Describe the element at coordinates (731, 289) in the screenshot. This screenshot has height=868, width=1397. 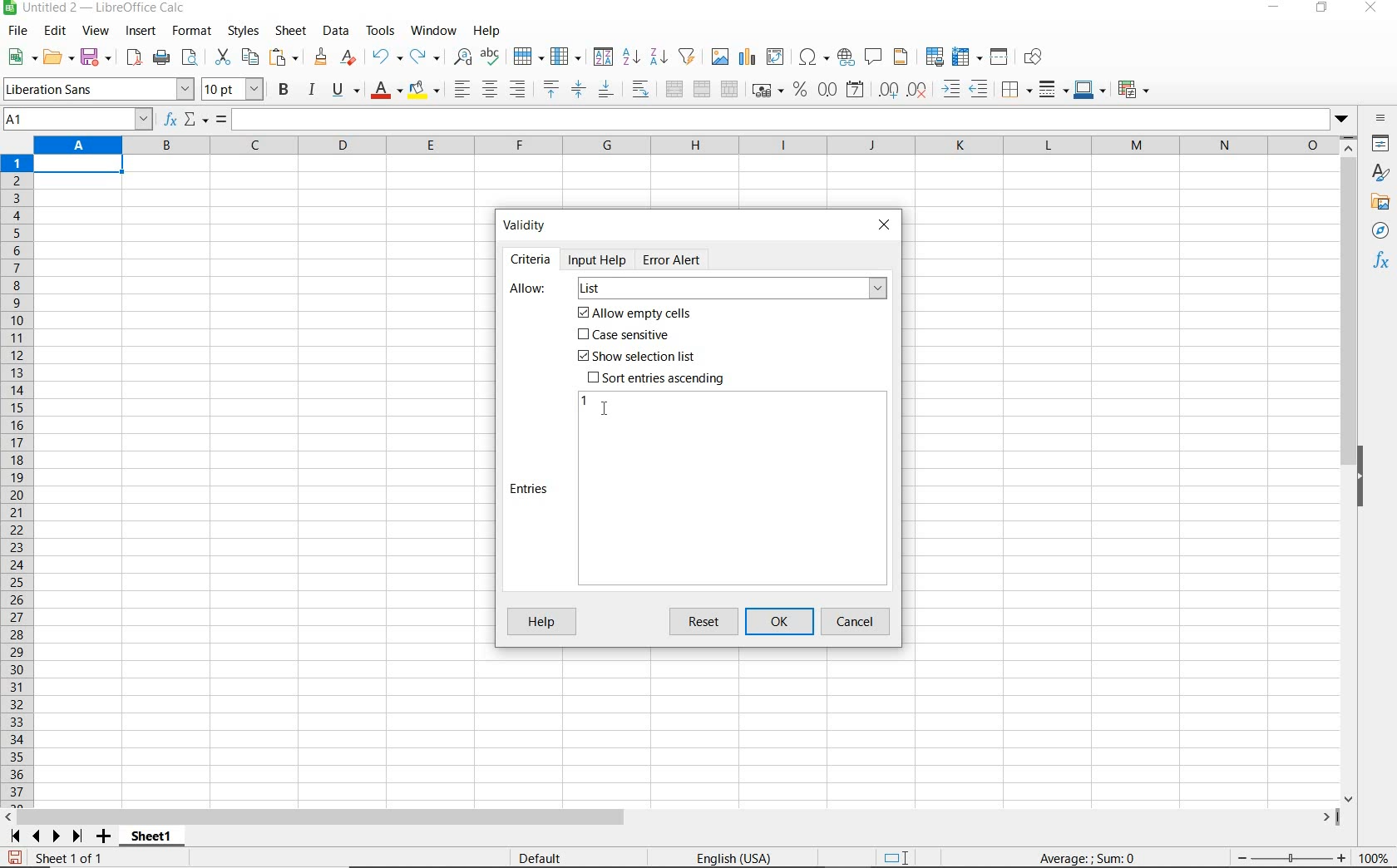
I see `list` at that location.